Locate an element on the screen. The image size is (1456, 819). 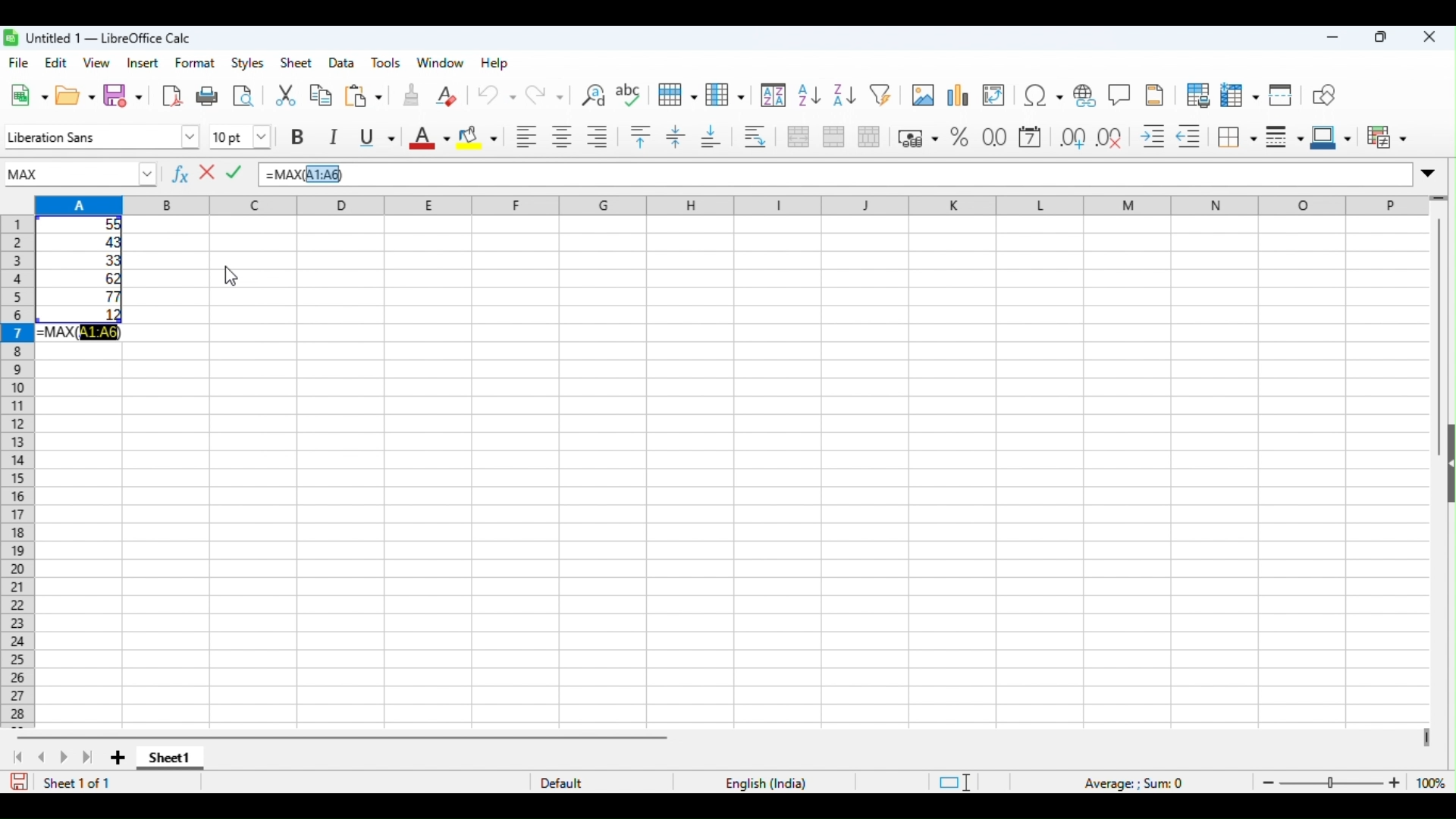
delete decimal place is located at coordinates (1112, 137).